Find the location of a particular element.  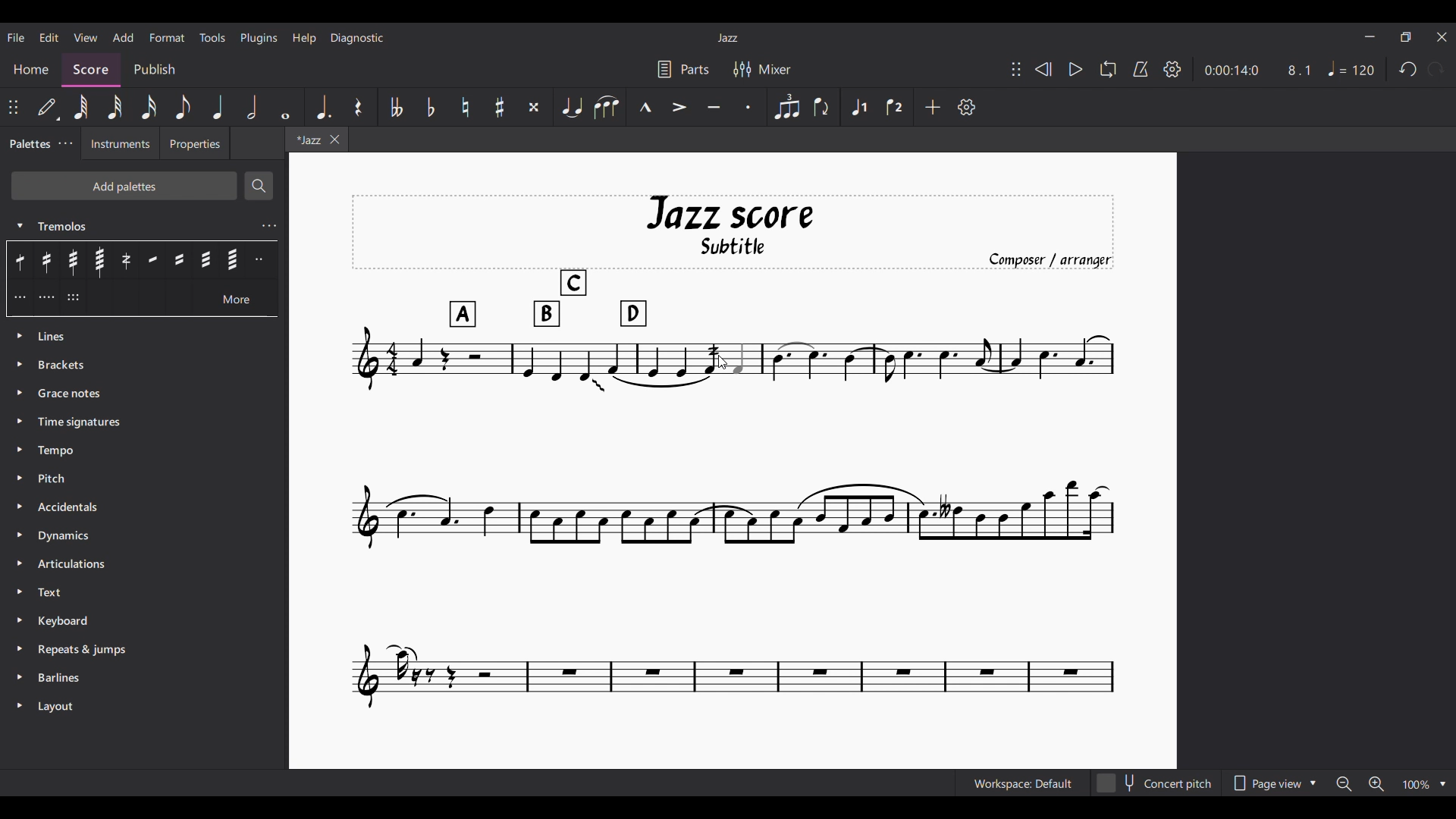

Zoom out is located at coordinates (1344, 784).